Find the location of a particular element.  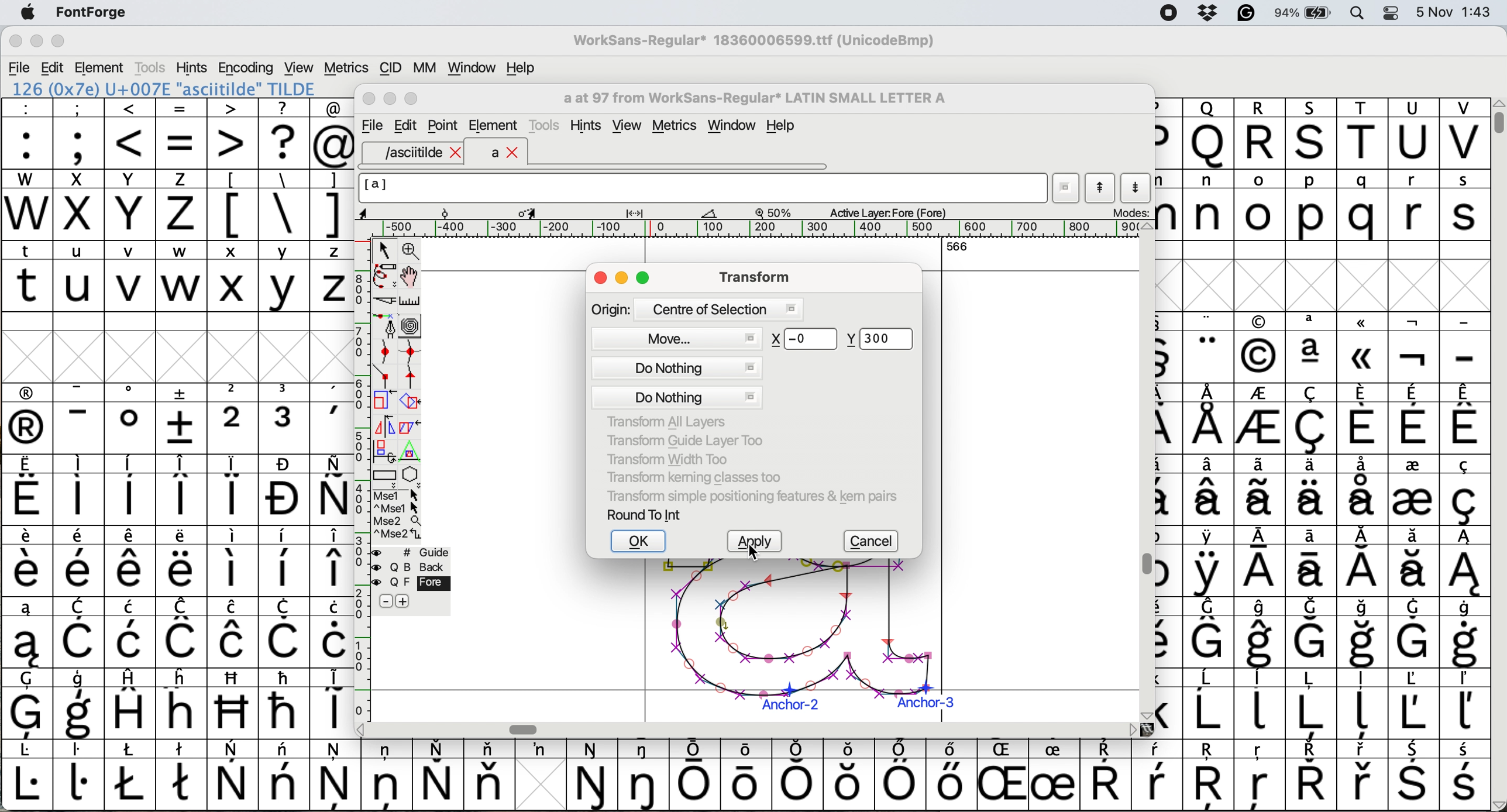

 is located at coordinates (850, 775).